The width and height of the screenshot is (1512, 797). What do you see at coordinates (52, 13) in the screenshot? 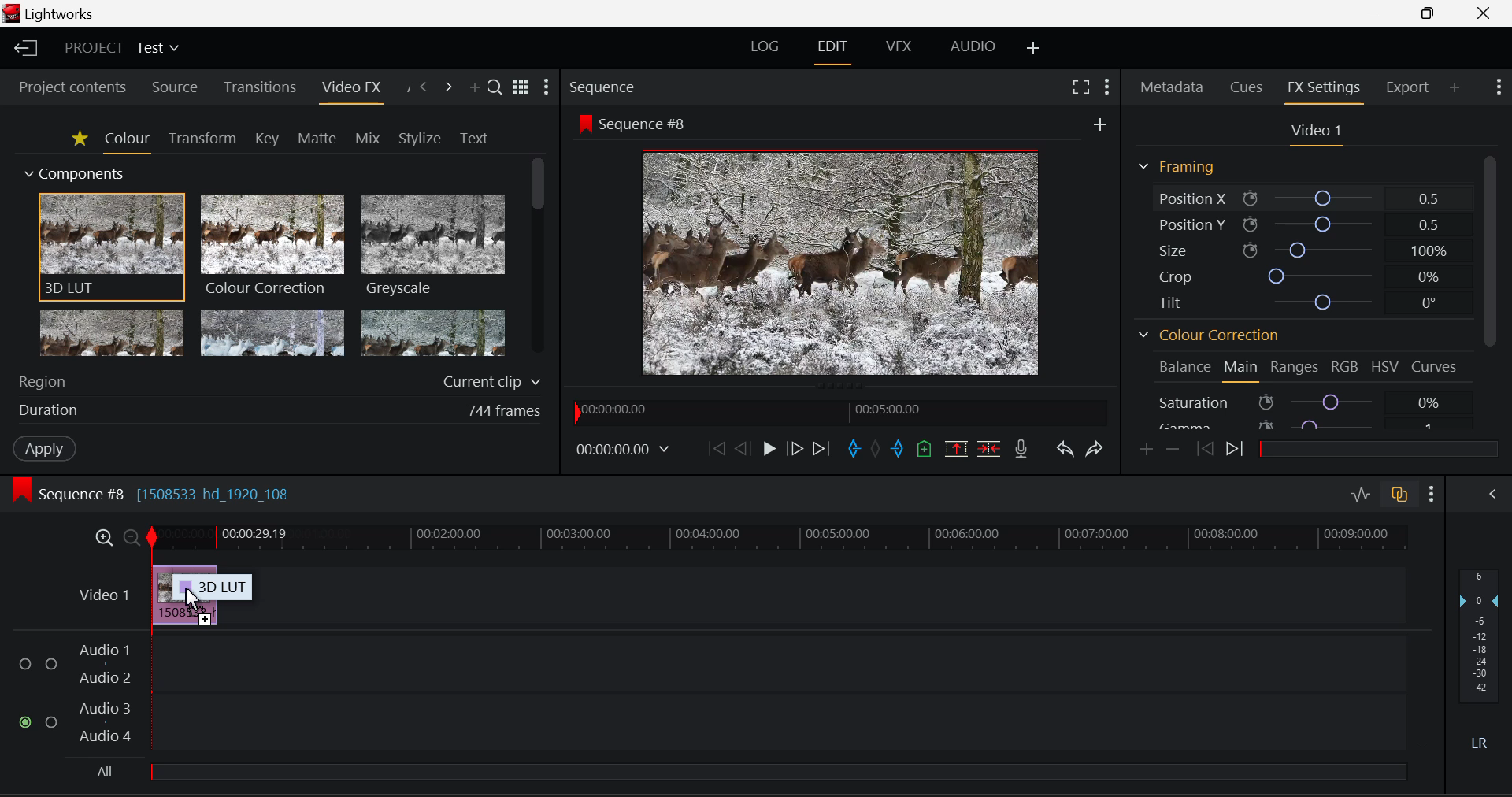
I see `Window Title` at bounding box center [52, 13].